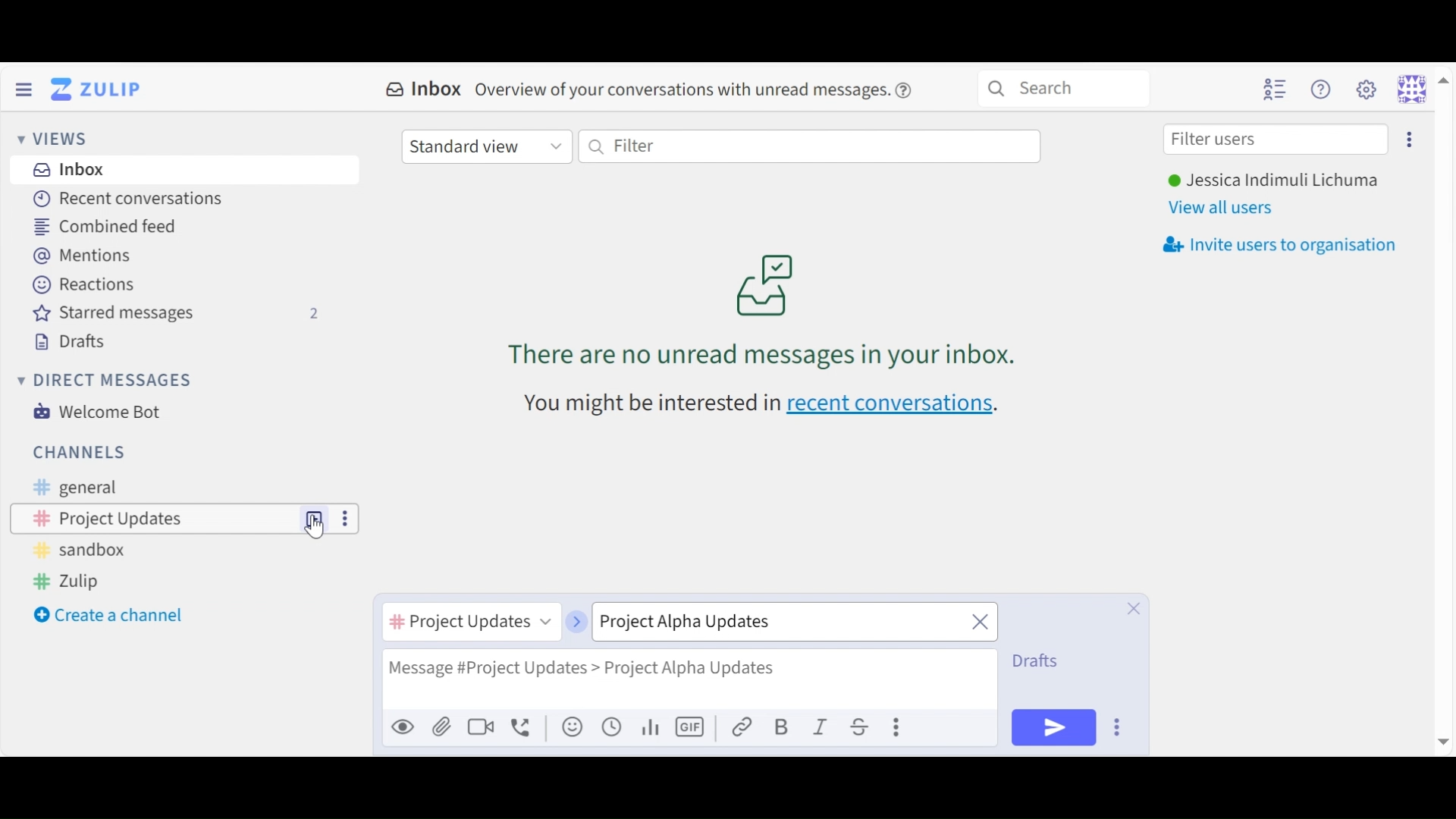 This screenshot has width=1456, height=819. What do you see at coordinates (485, 148) in the screenshot?
I see `Standard View` at bounding box center [485, 148].